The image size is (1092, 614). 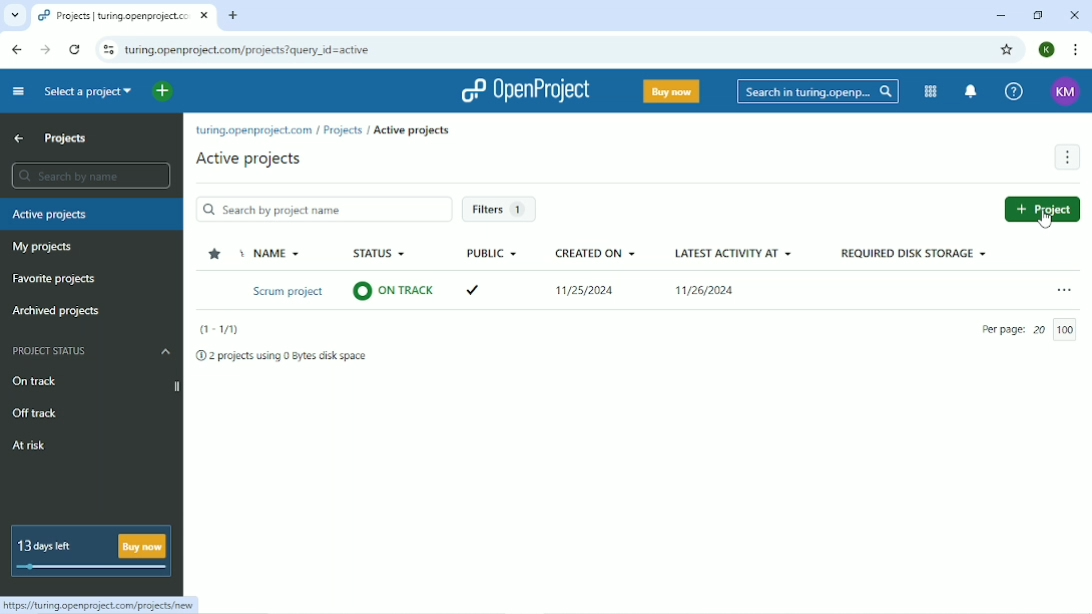 What do you see at coordinates (477, 293) in the screenshot?
I see `ticked` at bounding box center [477, 293].